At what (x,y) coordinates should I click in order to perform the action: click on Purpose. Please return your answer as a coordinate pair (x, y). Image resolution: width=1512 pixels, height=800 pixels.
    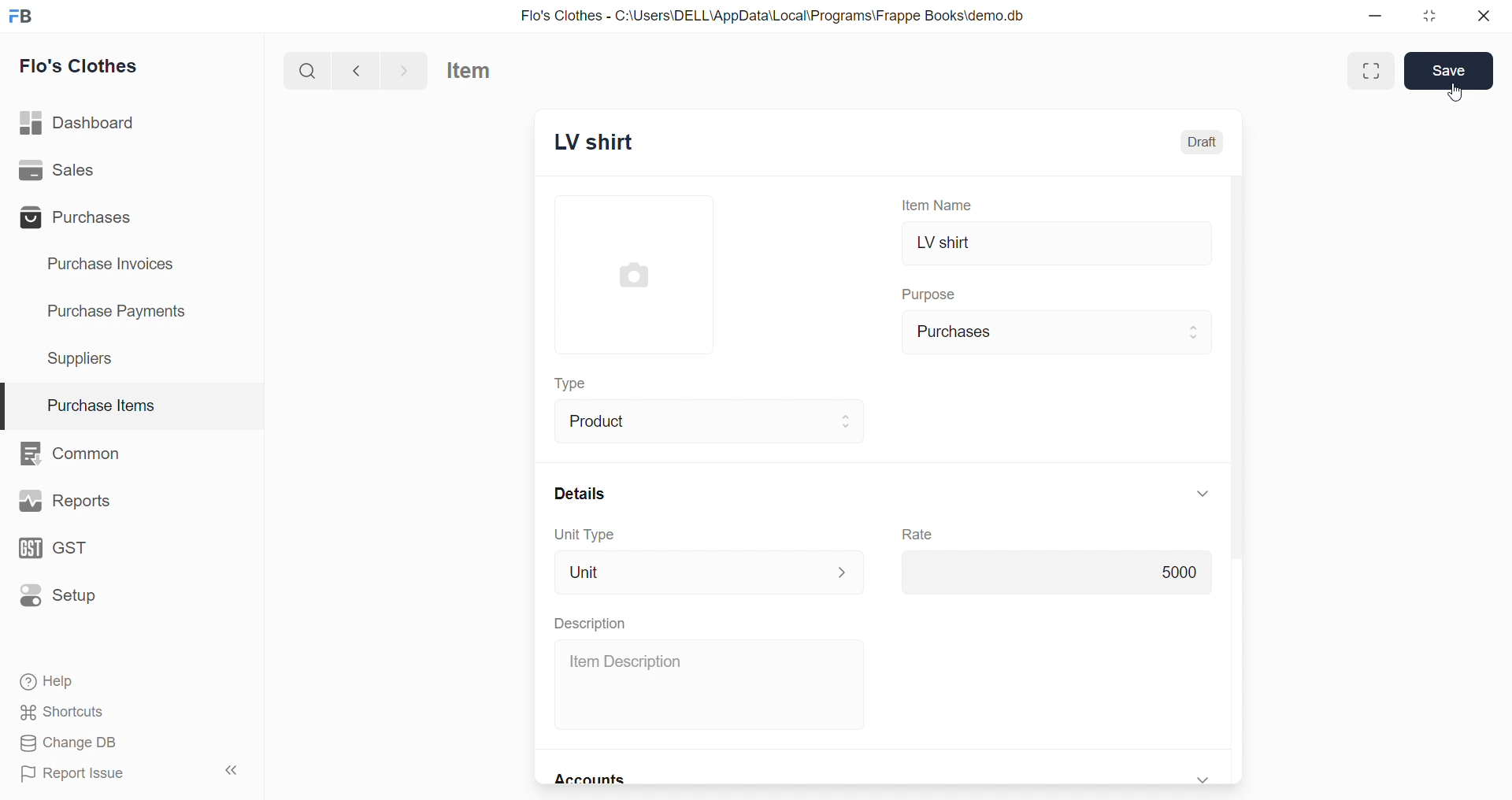
    Looking at the image, I should click on (932, 292).